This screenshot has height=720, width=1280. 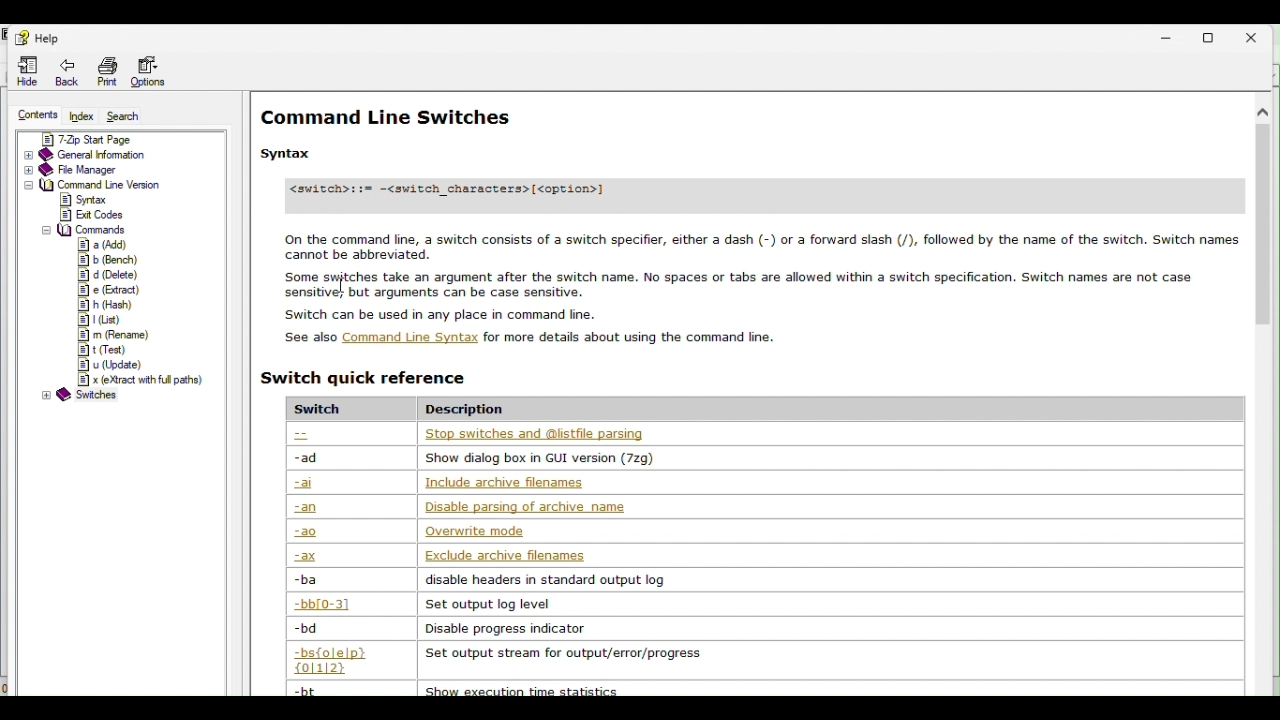 I want to click on commands, so click(x=93, y=231).